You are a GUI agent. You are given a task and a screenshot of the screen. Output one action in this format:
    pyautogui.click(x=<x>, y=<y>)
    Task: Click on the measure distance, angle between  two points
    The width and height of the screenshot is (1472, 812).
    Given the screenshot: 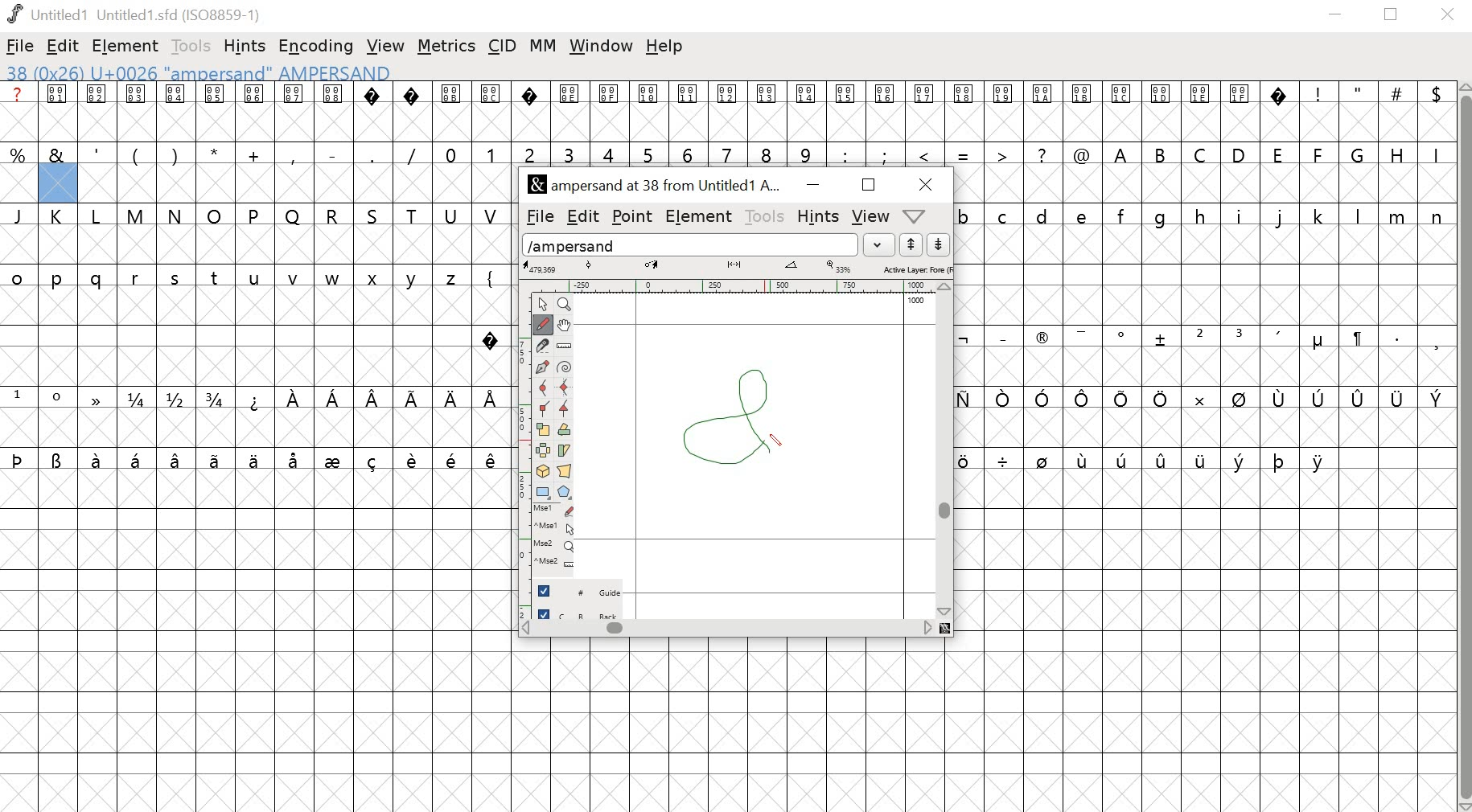 What is the action you would take?
    pyautogui.click(x=565, y=347)
    